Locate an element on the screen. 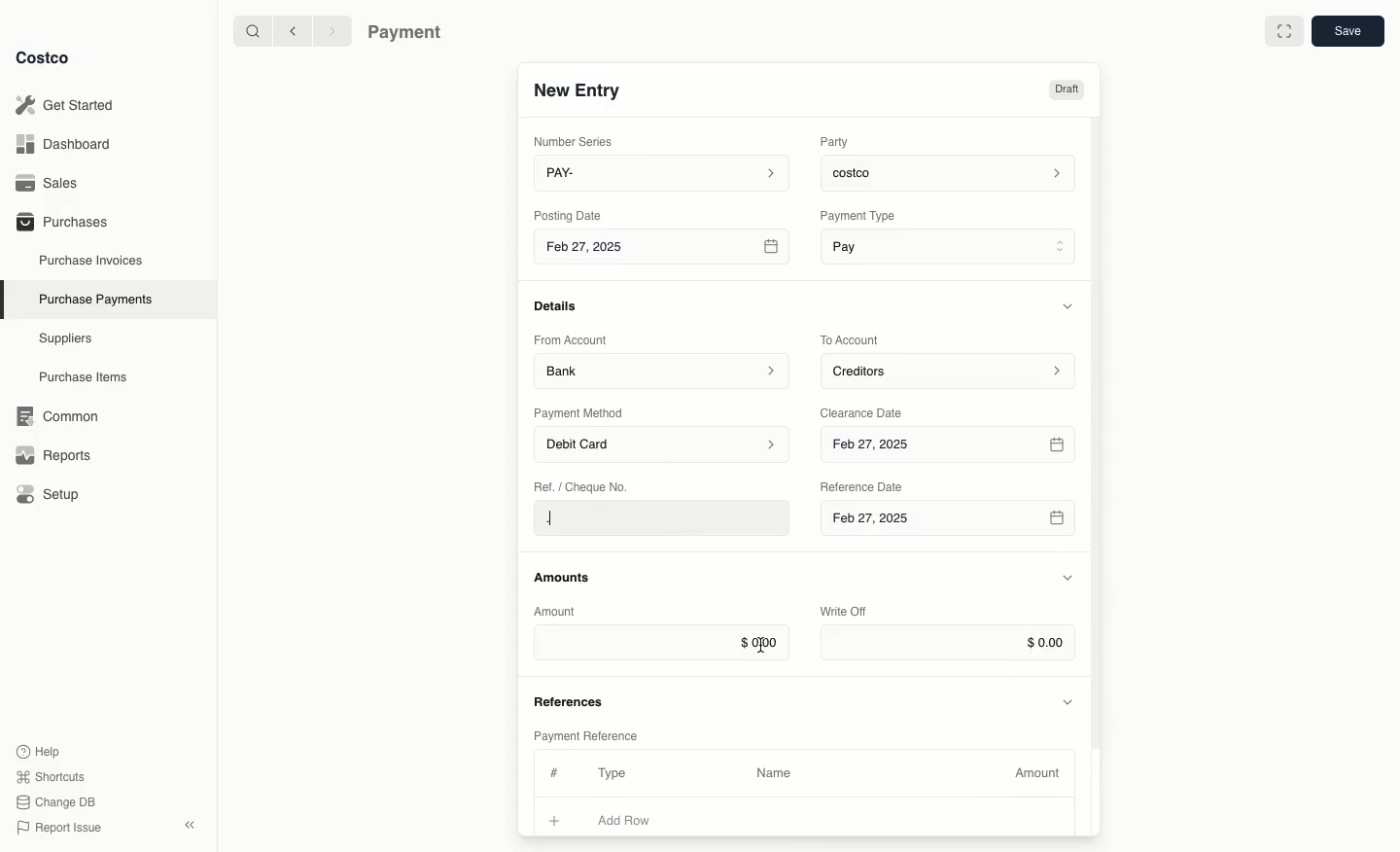 The image size is (1400, 852). Feb 27, 2025 is located at coordinates (664, 250).